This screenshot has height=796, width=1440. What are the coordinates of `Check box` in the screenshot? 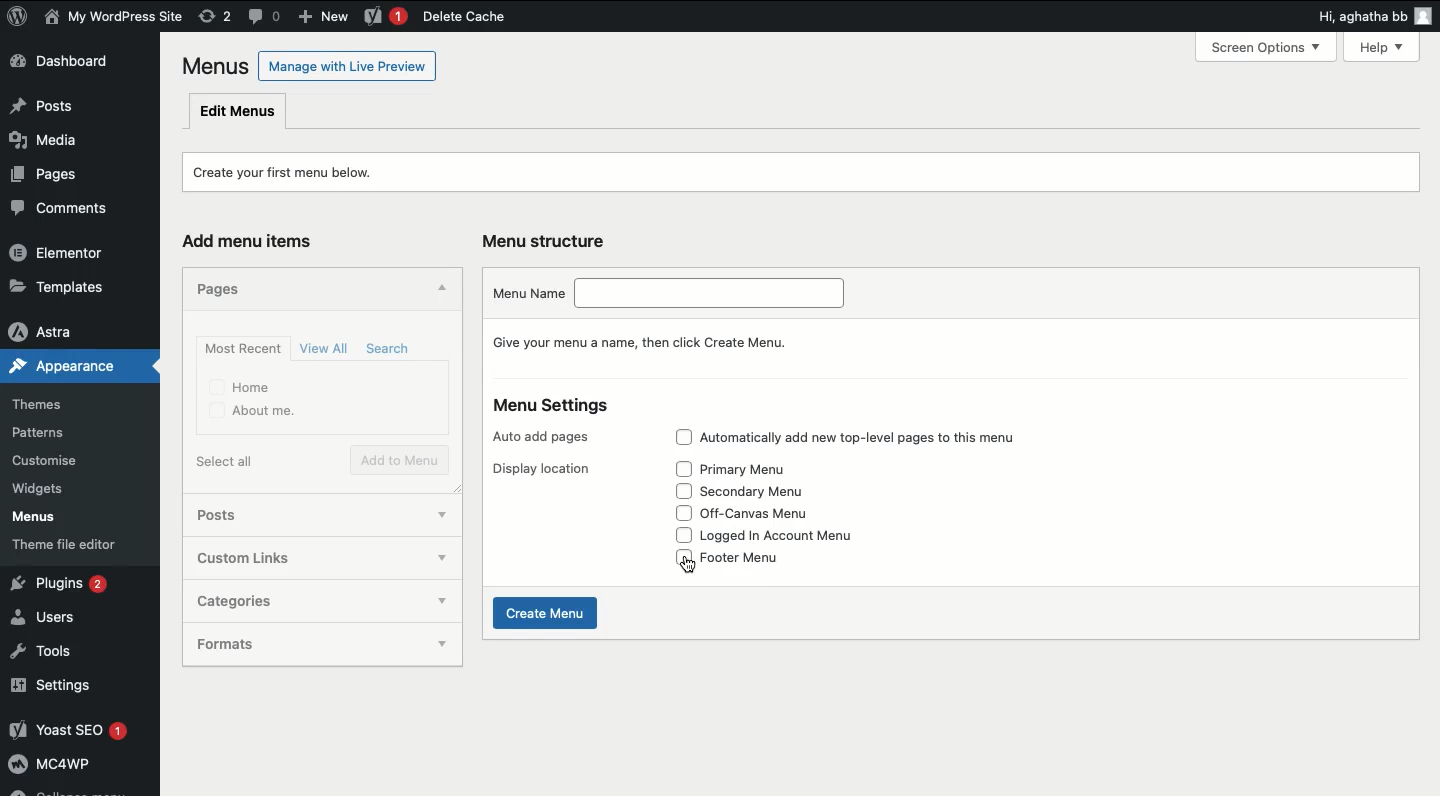 It's located at (676, 558).